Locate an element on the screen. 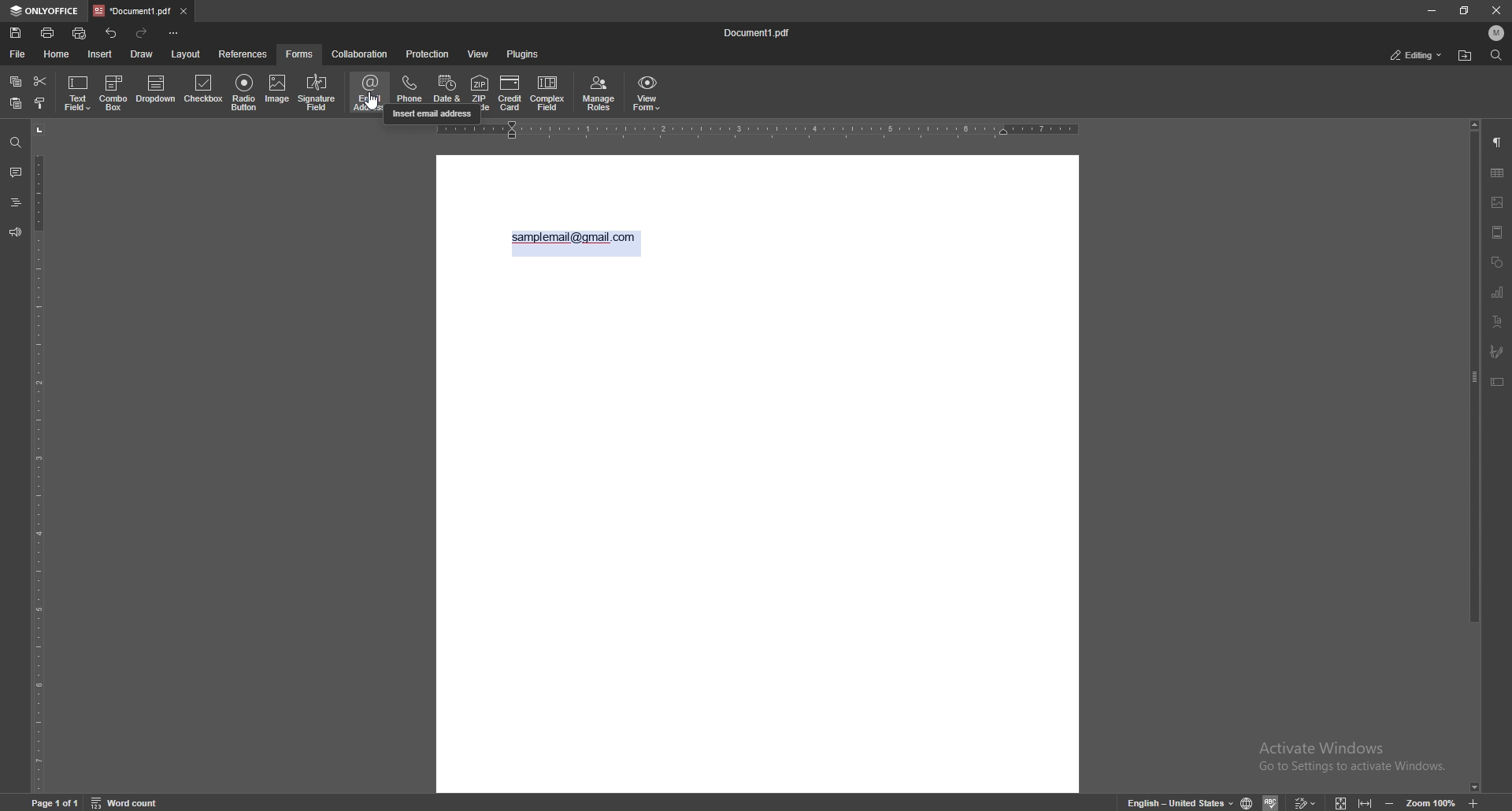 The height and width of the screenshot is (811, 1512). file name is located at coordinates (762, 32).